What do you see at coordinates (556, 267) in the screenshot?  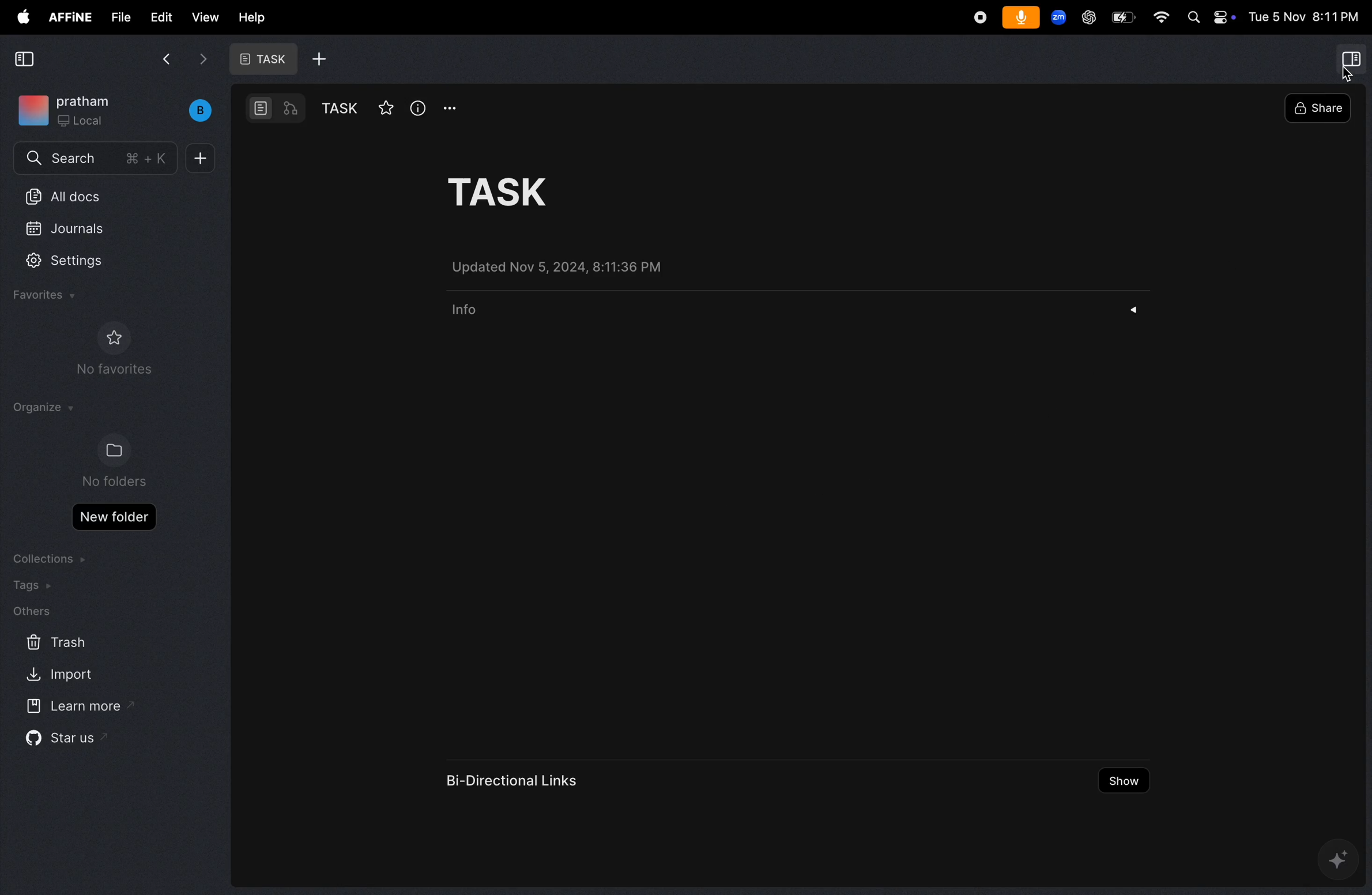 I see `updated` at bounding box center [556, 267].